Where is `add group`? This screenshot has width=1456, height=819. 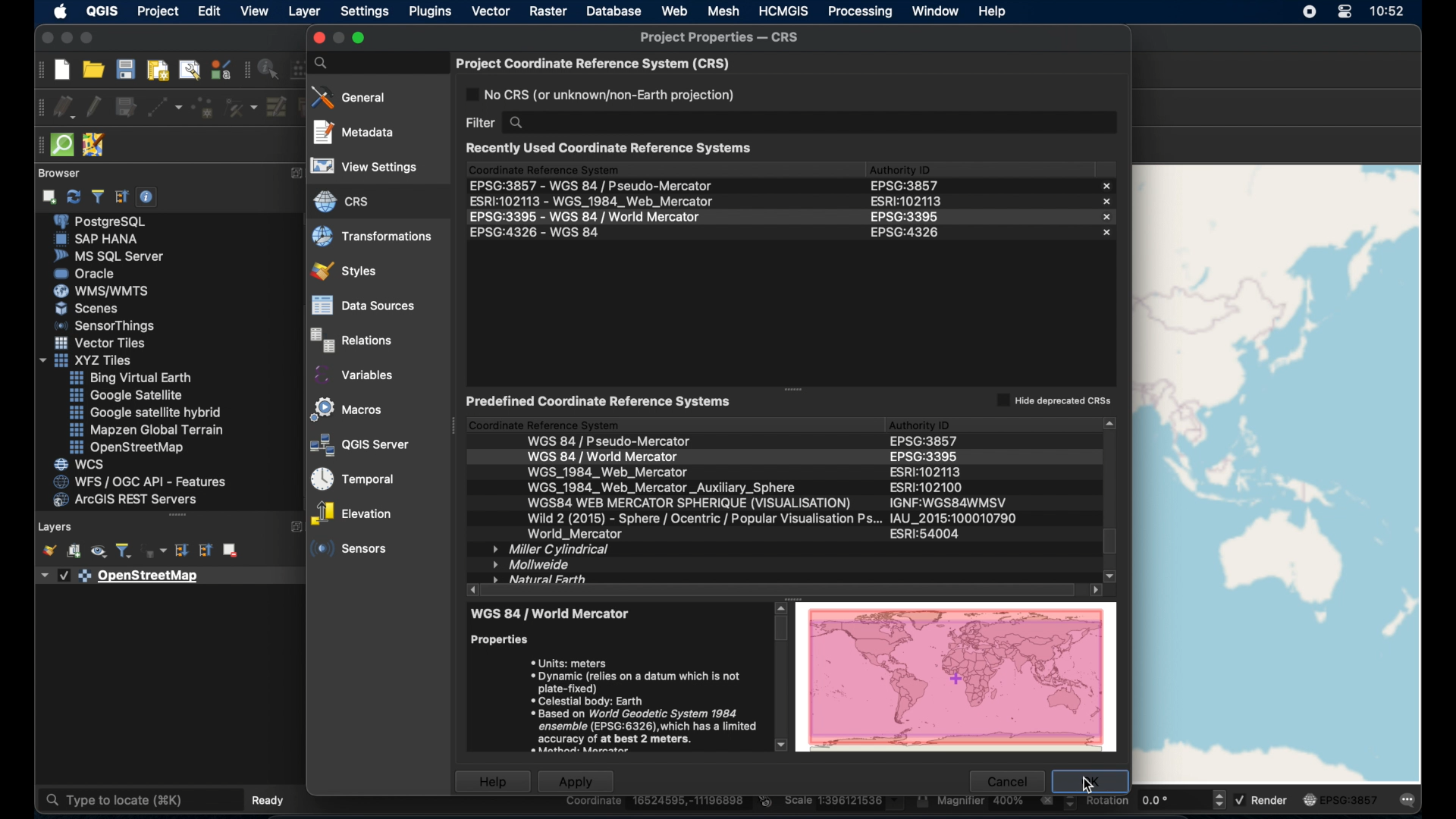
add group is located at coordinates (74, 551).